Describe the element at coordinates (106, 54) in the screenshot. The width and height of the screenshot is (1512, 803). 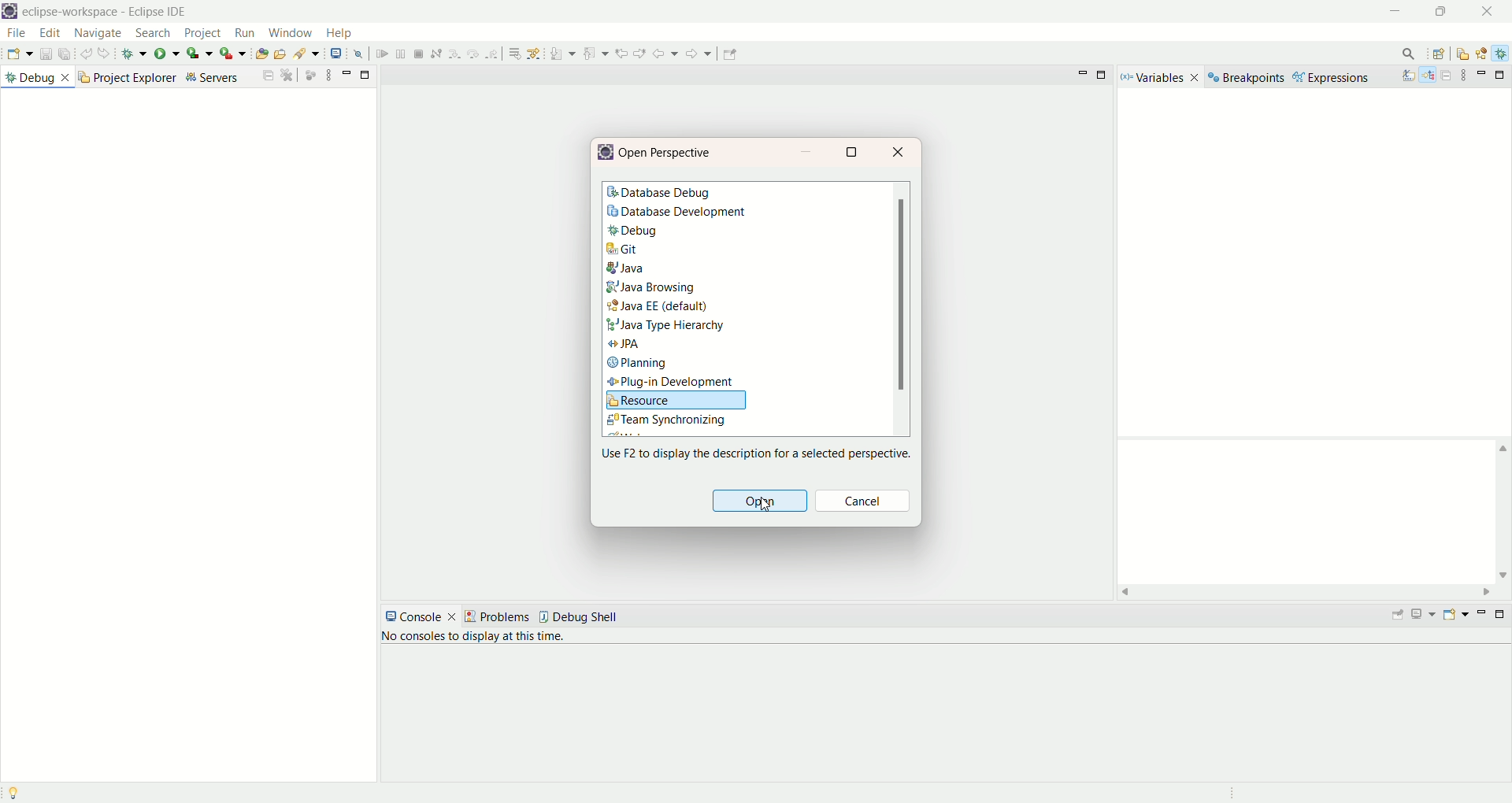
I see `redo` at that location.